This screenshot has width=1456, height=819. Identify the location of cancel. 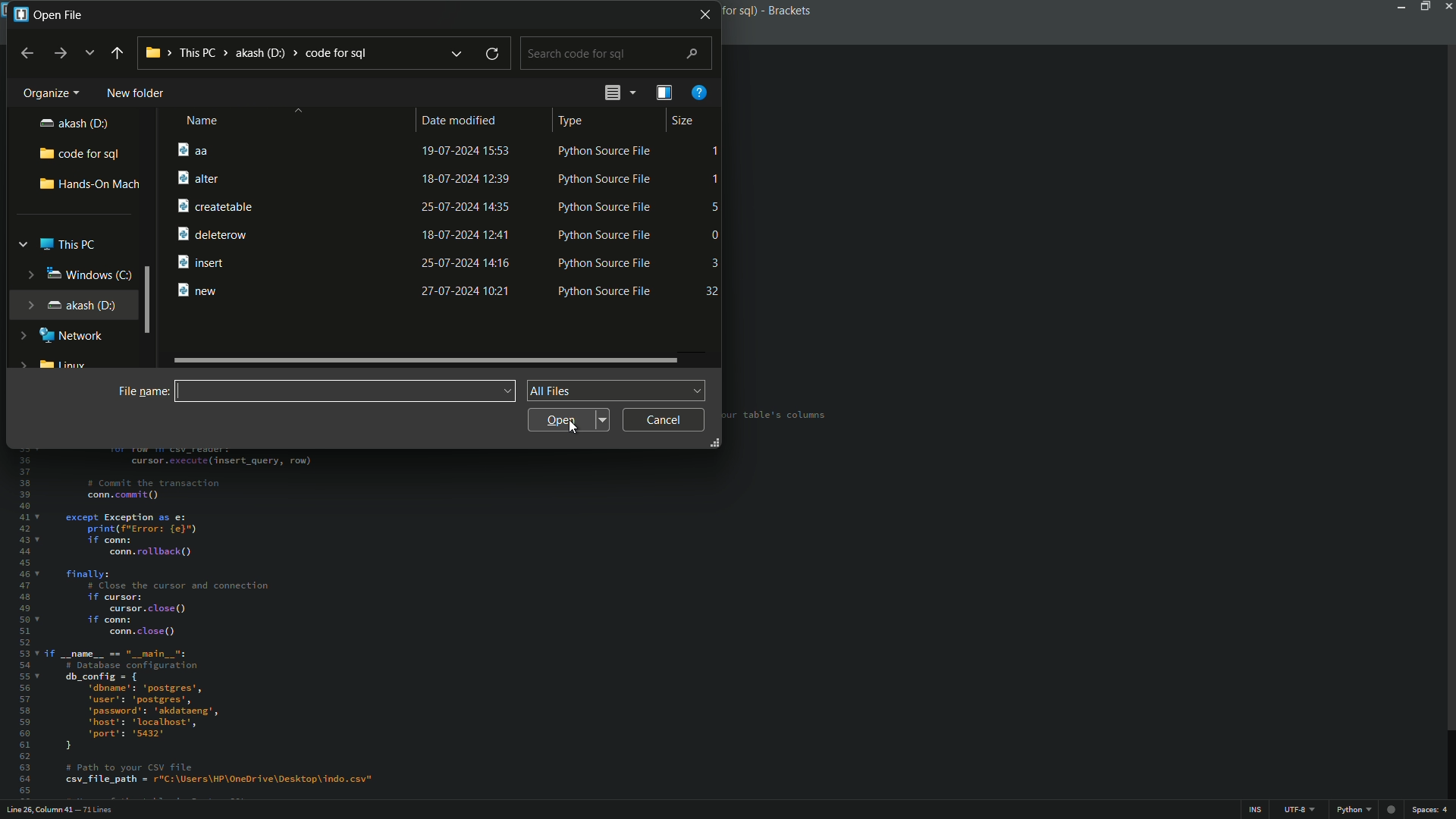
(664, 419).